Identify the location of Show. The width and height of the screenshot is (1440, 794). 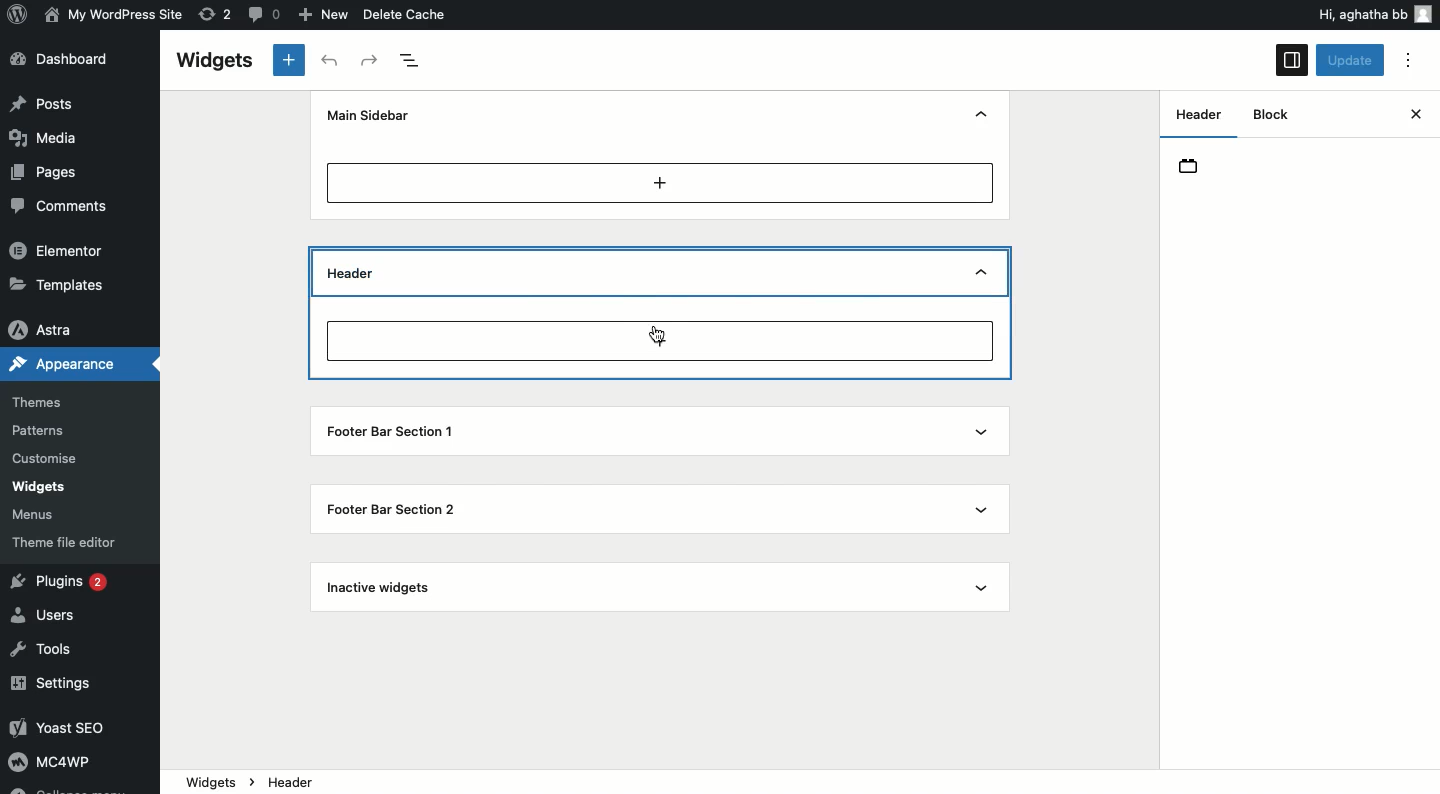
(984, 507).